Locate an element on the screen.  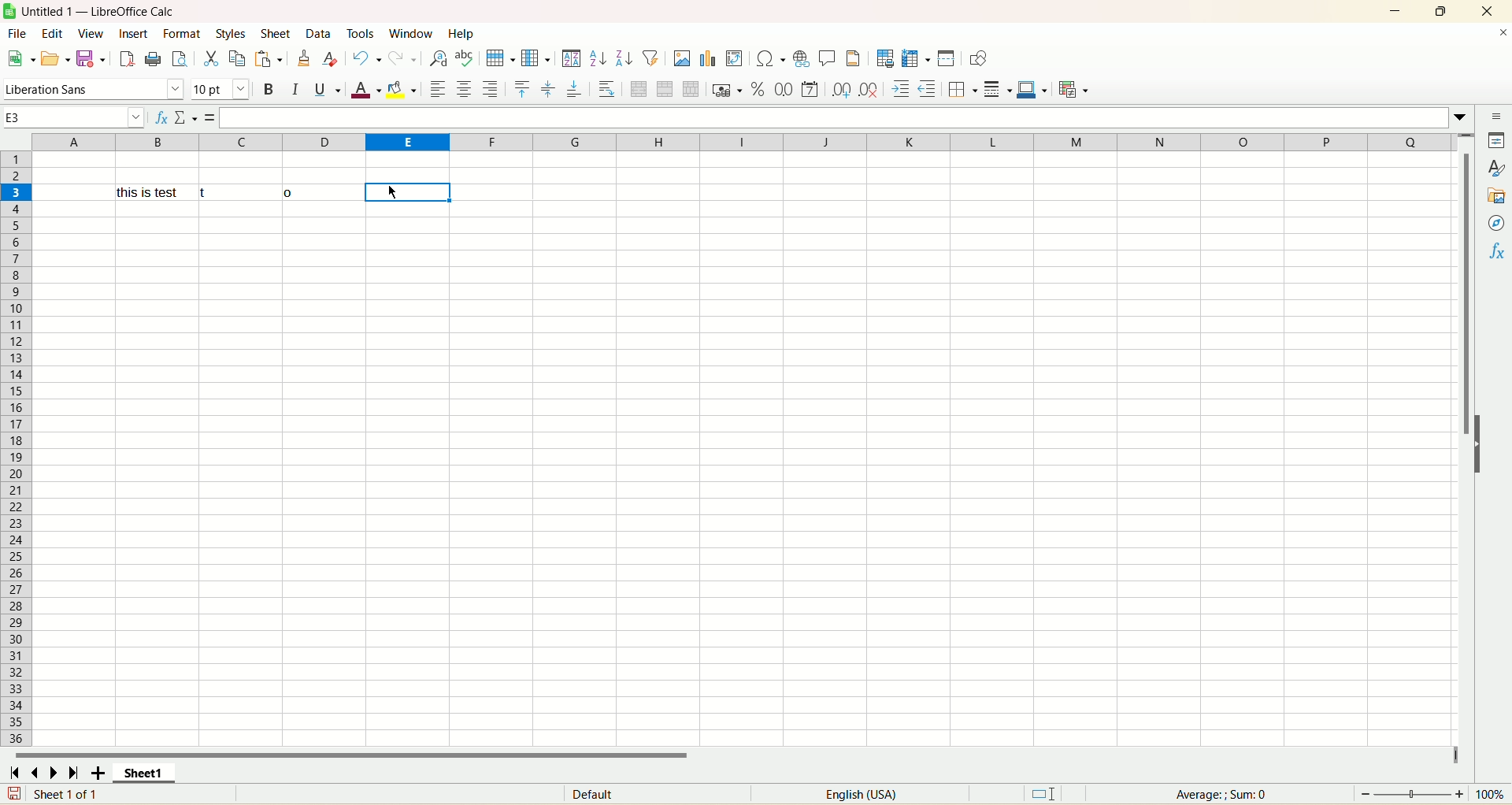
format as currency is located at coordinates (727, 91).